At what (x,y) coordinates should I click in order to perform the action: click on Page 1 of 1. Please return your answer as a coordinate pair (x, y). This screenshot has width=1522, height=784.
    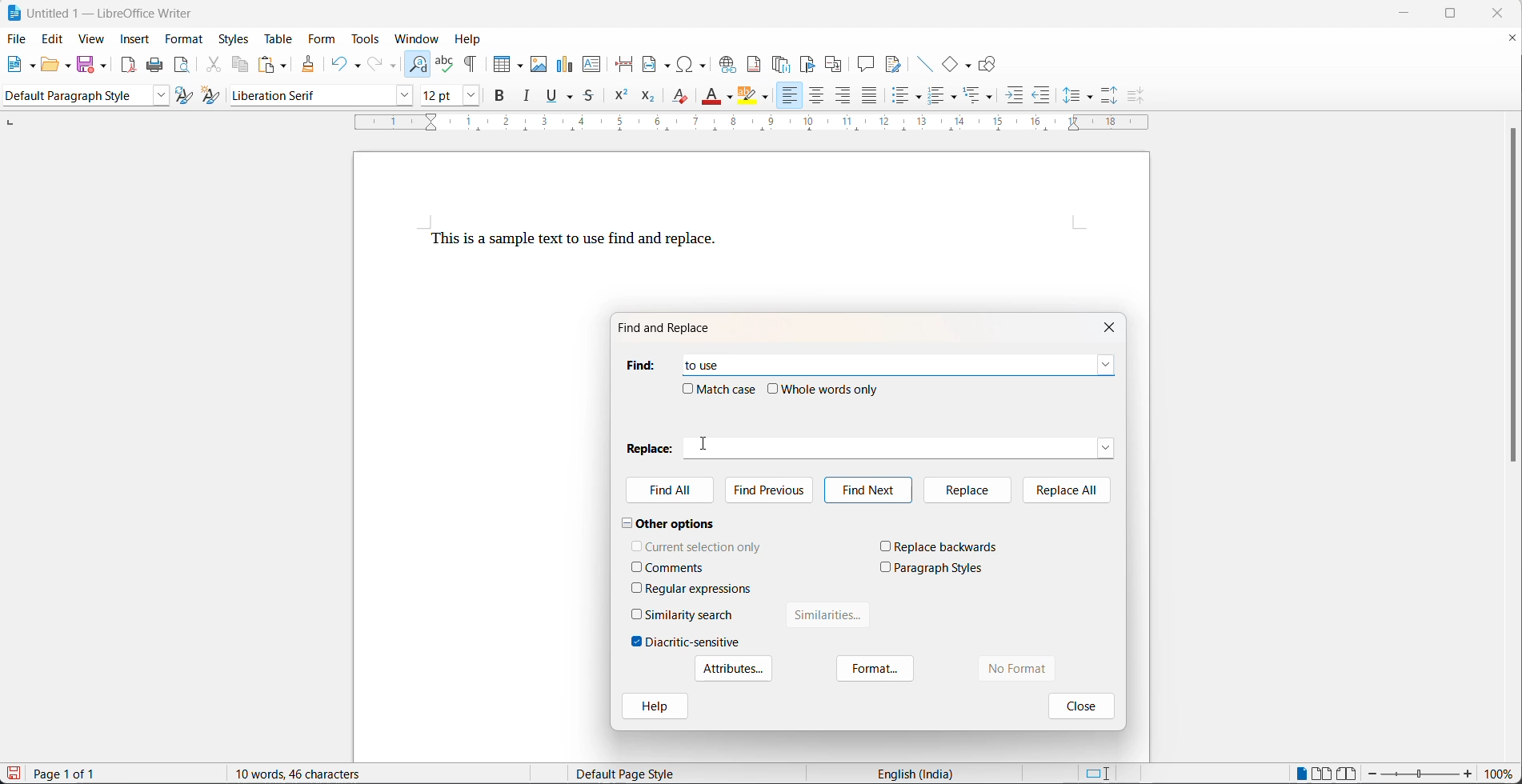
    Looking at the image, I should click on (70, 774).